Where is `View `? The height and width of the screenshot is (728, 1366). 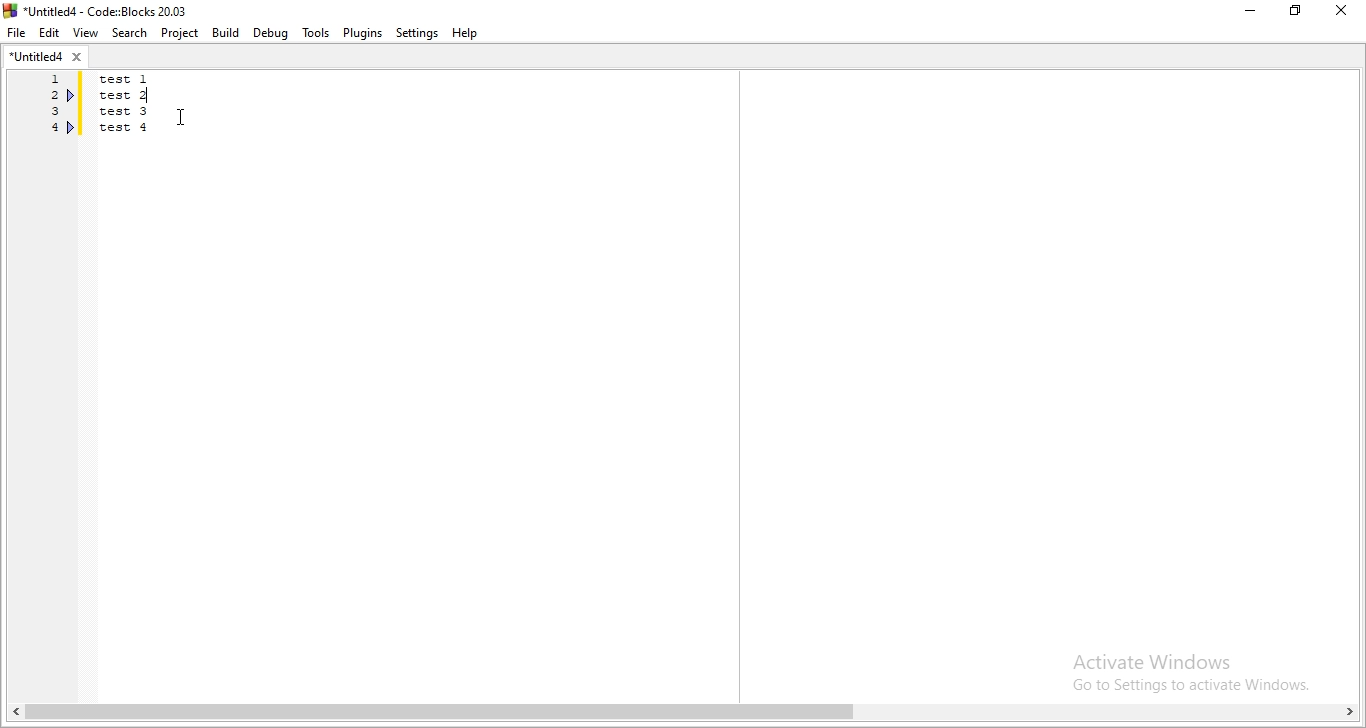 View  is located at coordinates (83, 33).